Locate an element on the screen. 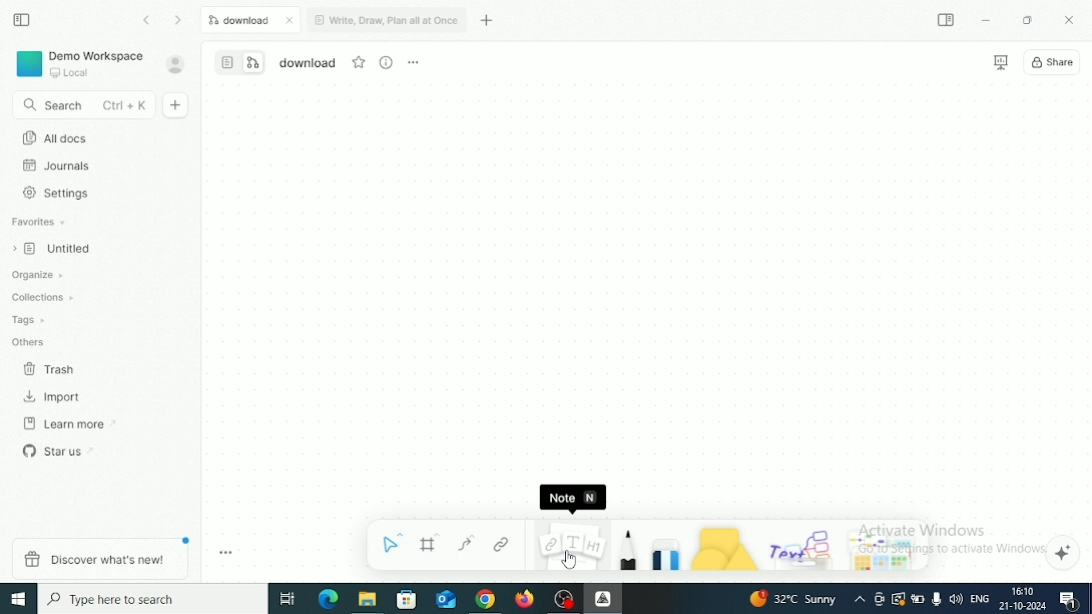  Download is located at coordinates (252, 20).